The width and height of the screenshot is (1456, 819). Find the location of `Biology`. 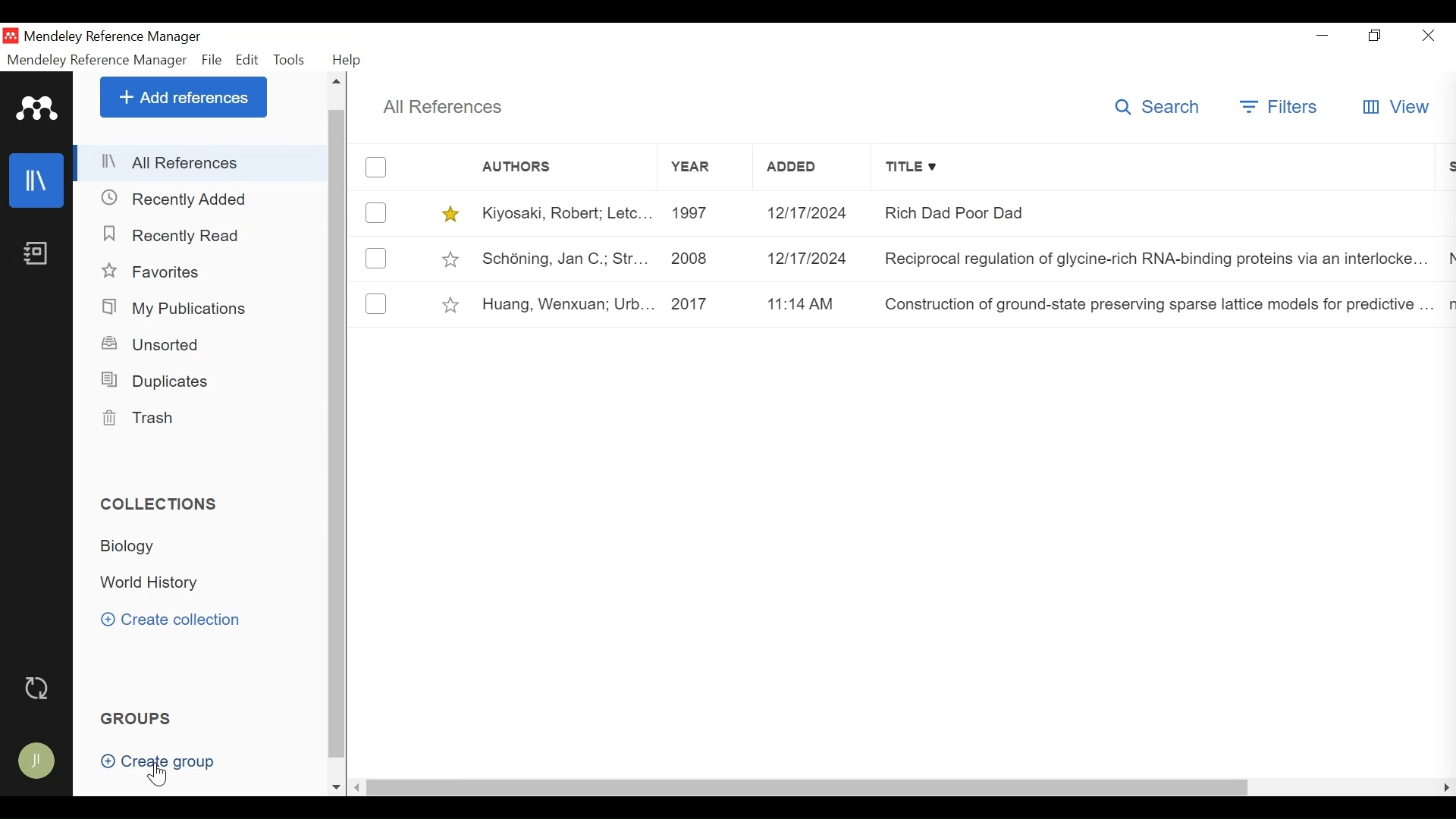

Biology is located at coordinates (137, 548).